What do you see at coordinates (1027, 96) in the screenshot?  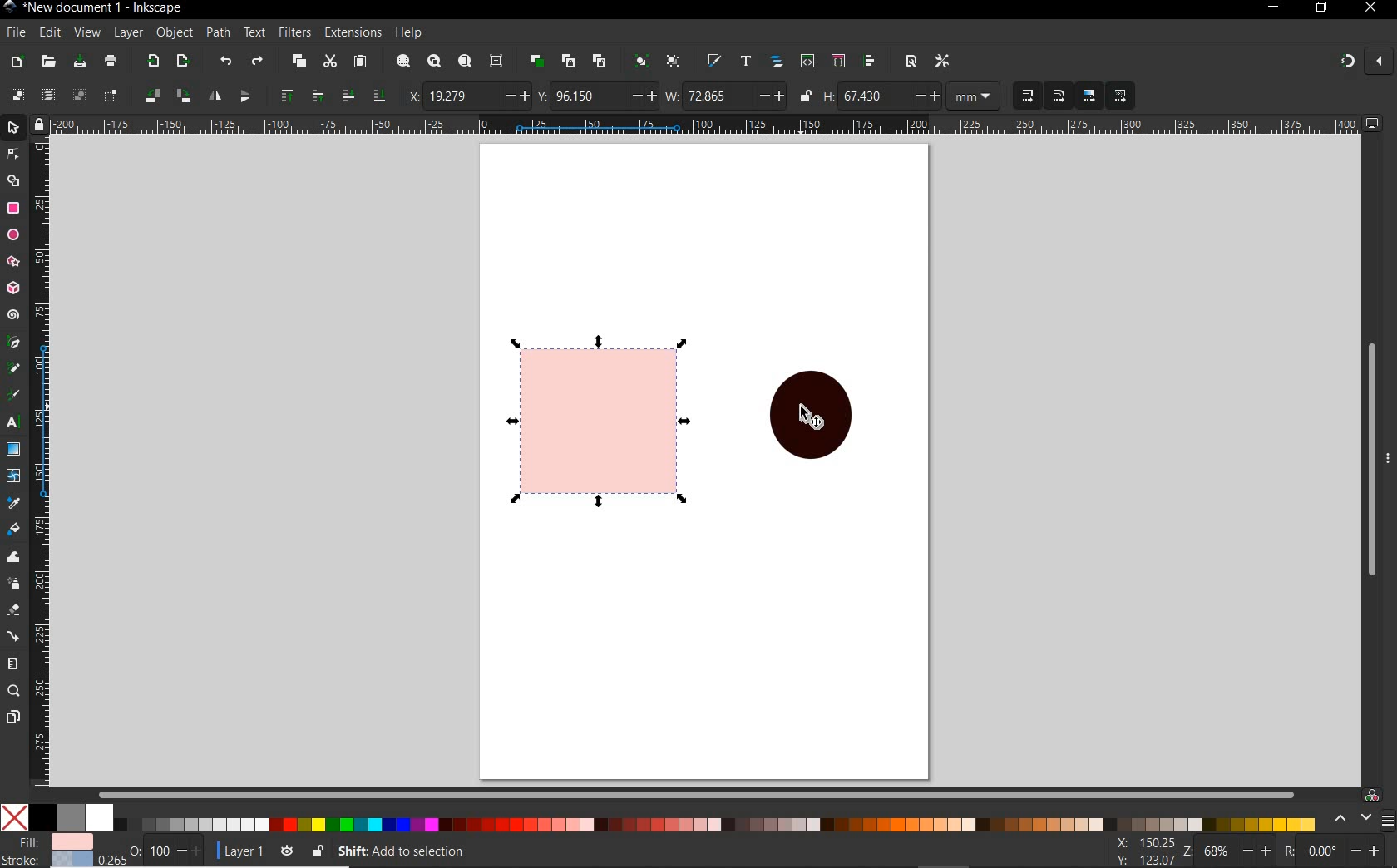 I see `when scaling objects` at bounding box center [1027, 96].